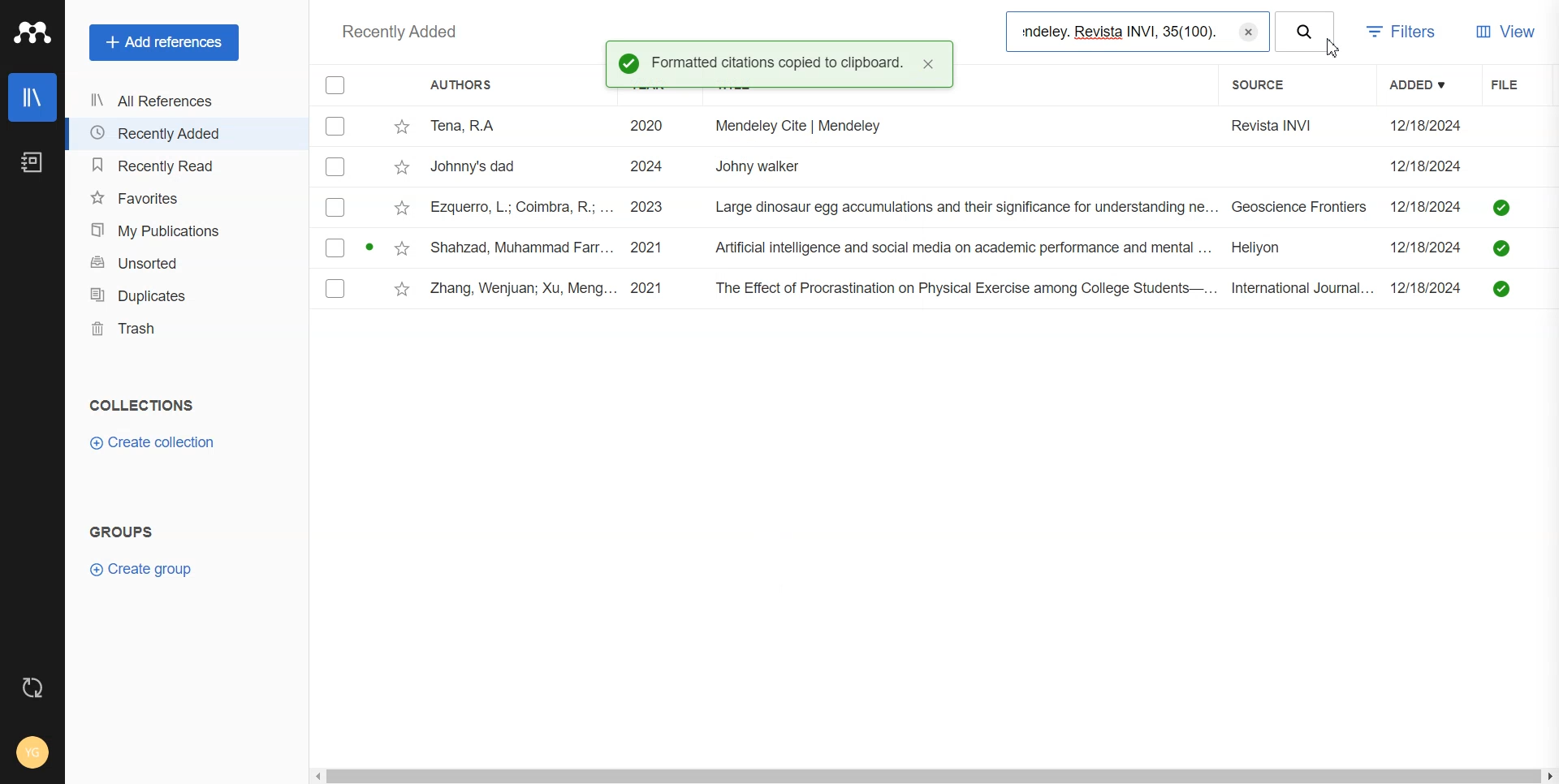  What do you see at coordinates (183, 102) in the screenshot?
I see `All References` at bounding box center [183, 102].